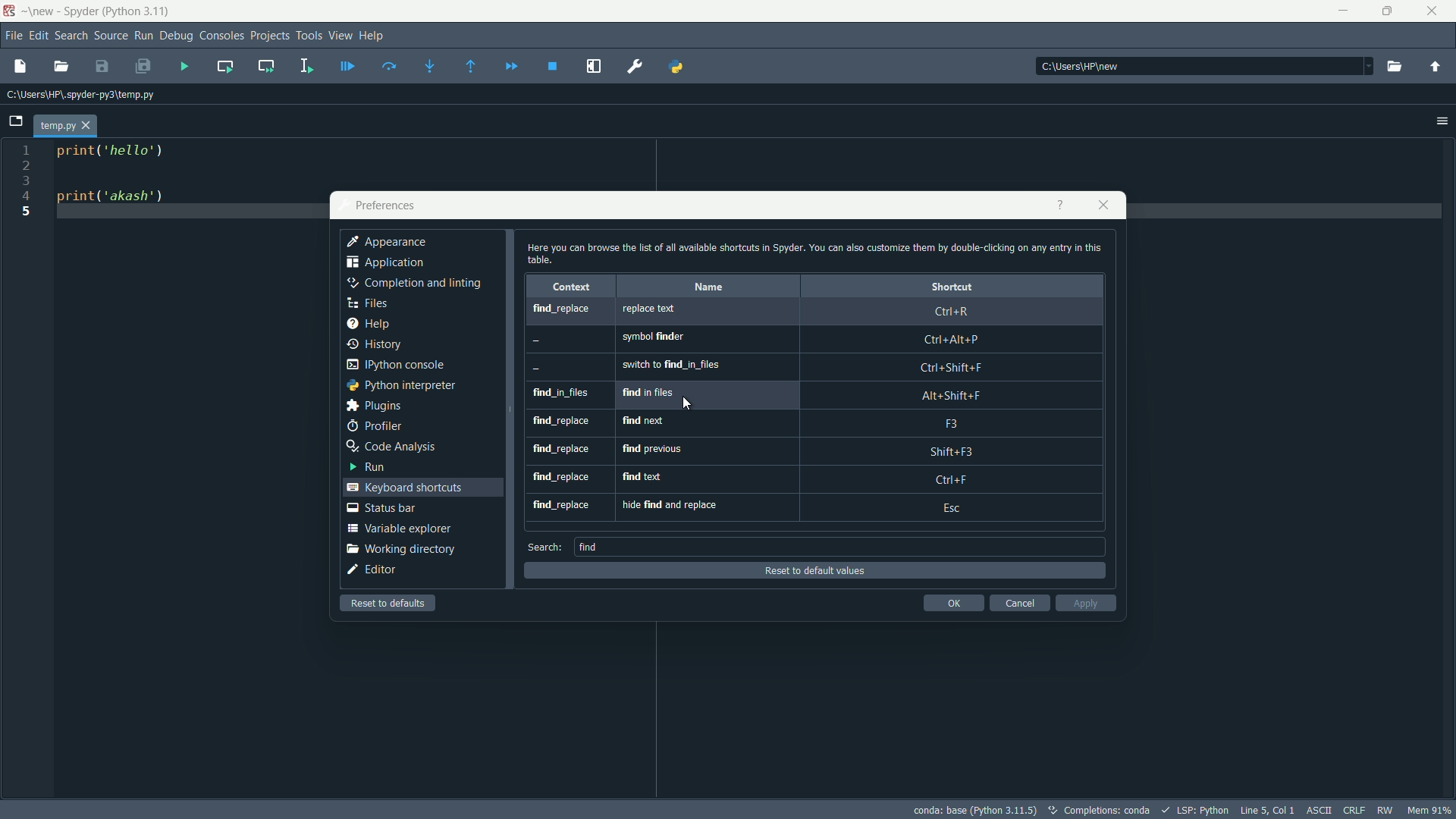 The width and height of the screenshot is (1456, 819). I want to click on debug menu, so click(177, 33).